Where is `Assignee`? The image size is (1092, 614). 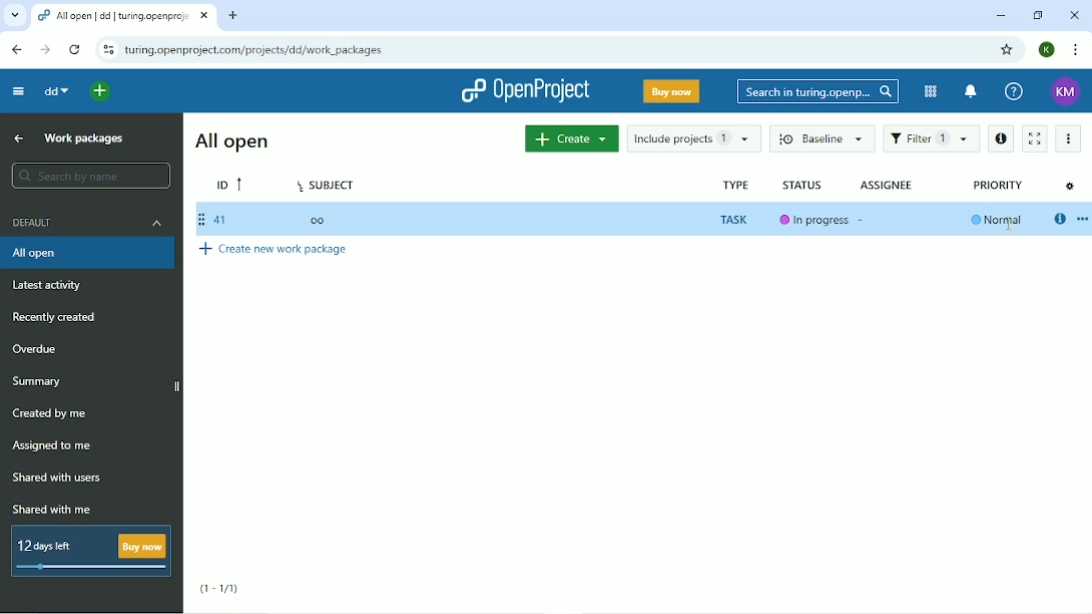
Assignee is located at coordinates (894, 187).